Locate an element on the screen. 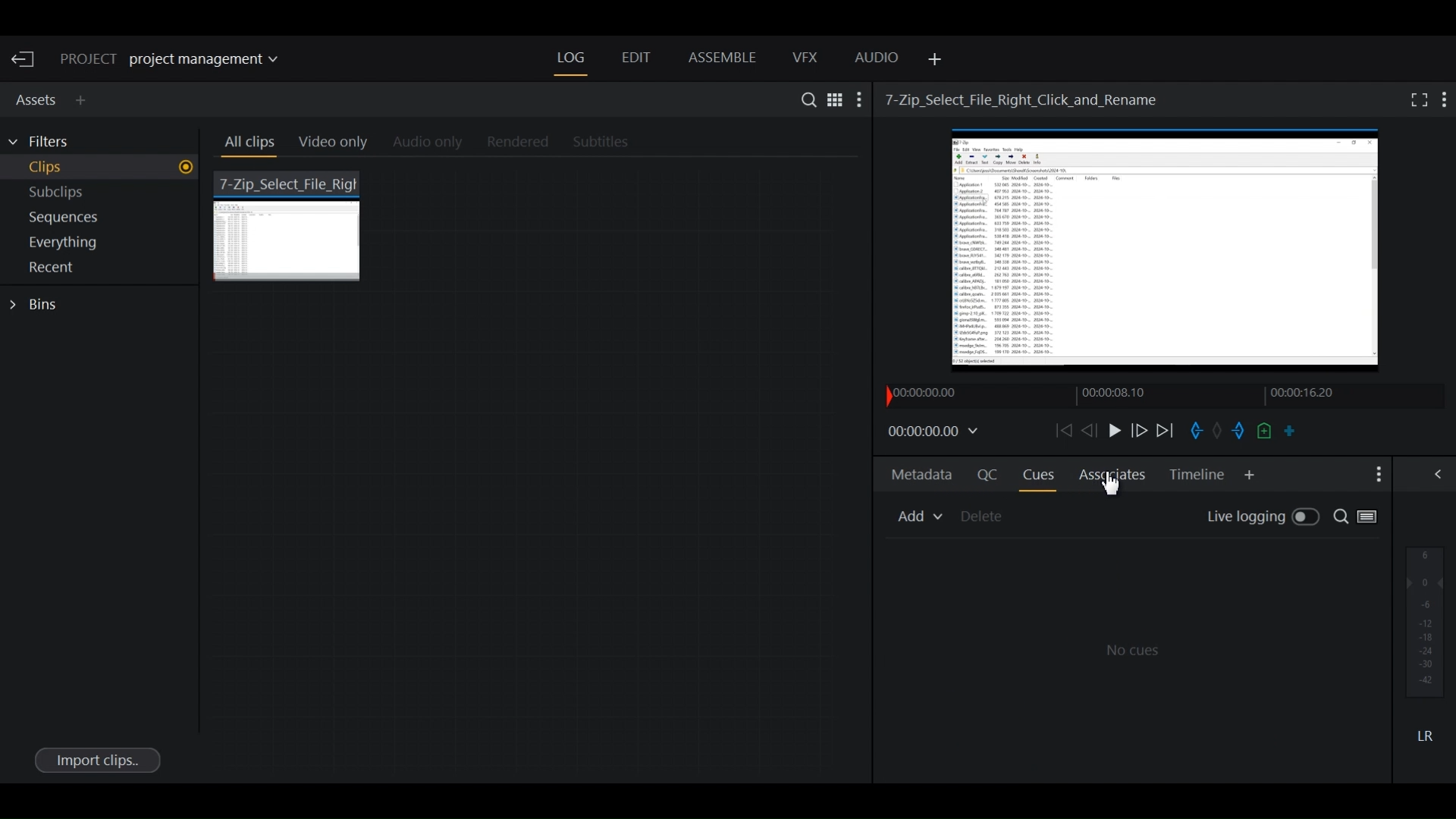 Image resolution: width=1456 pixels, height=819 pixels. Search for cues is located at coordinates (1339, 518).